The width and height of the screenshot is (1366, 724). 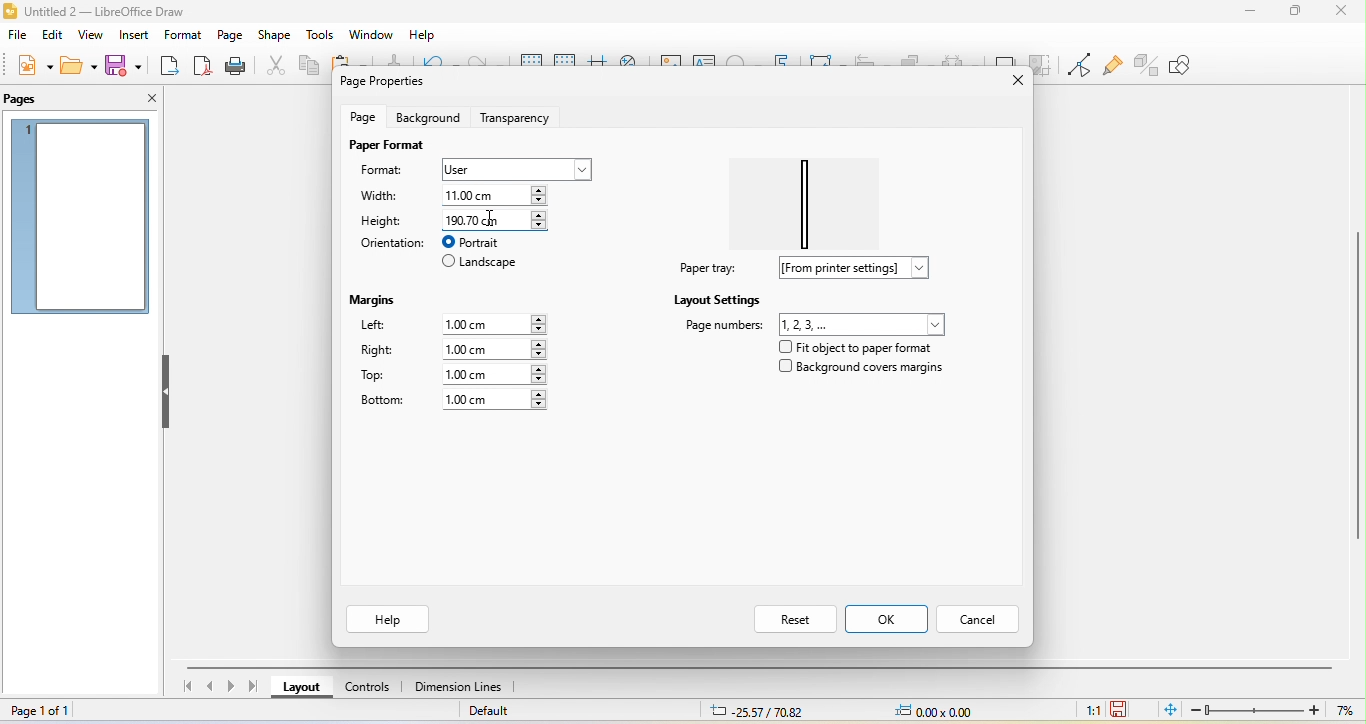 I want to click on bottom, so click(x=382, y=401).